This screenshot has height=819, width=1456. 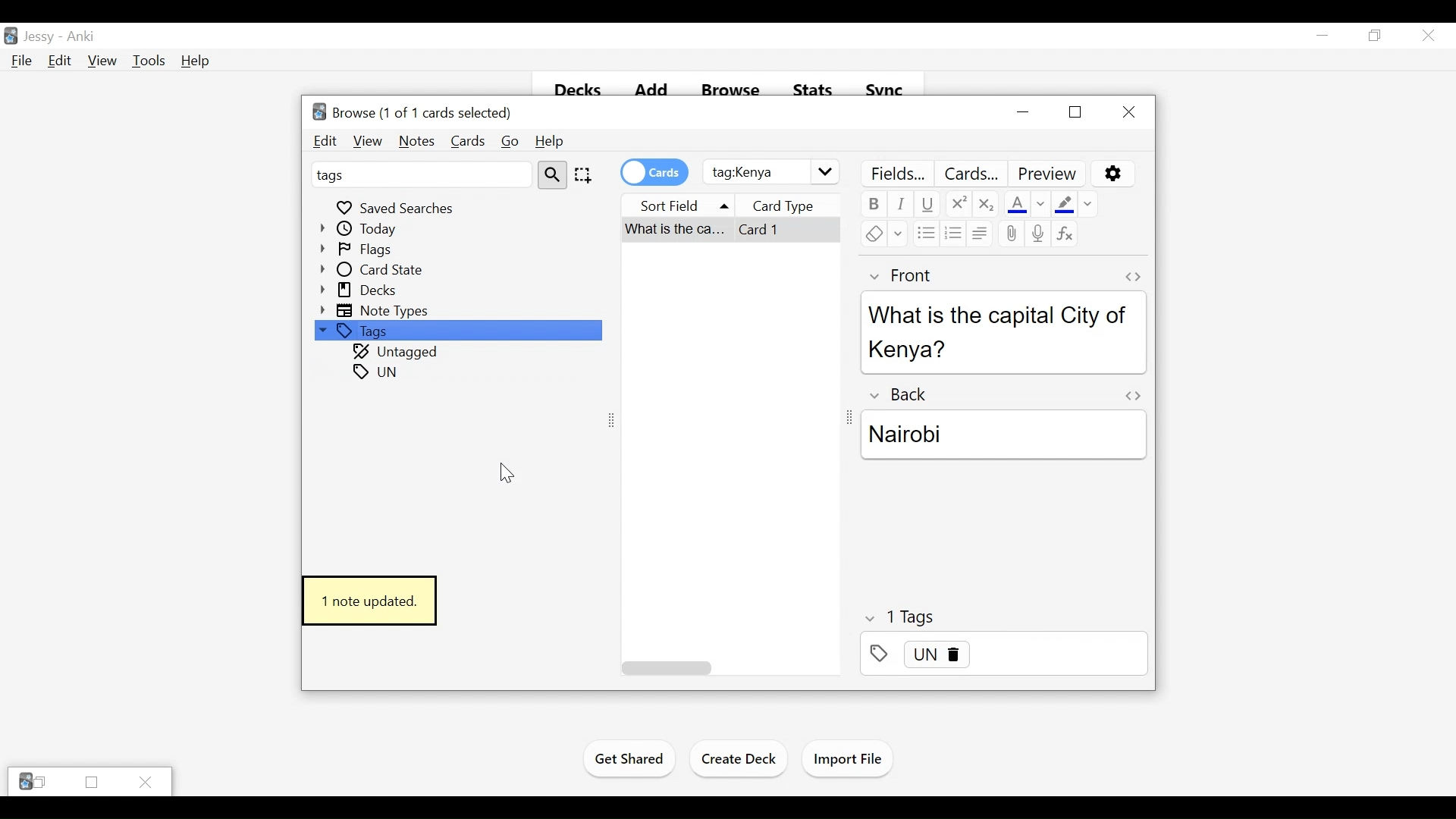 I want to click on Text Higlight Color, so click(x=1064, y=202).